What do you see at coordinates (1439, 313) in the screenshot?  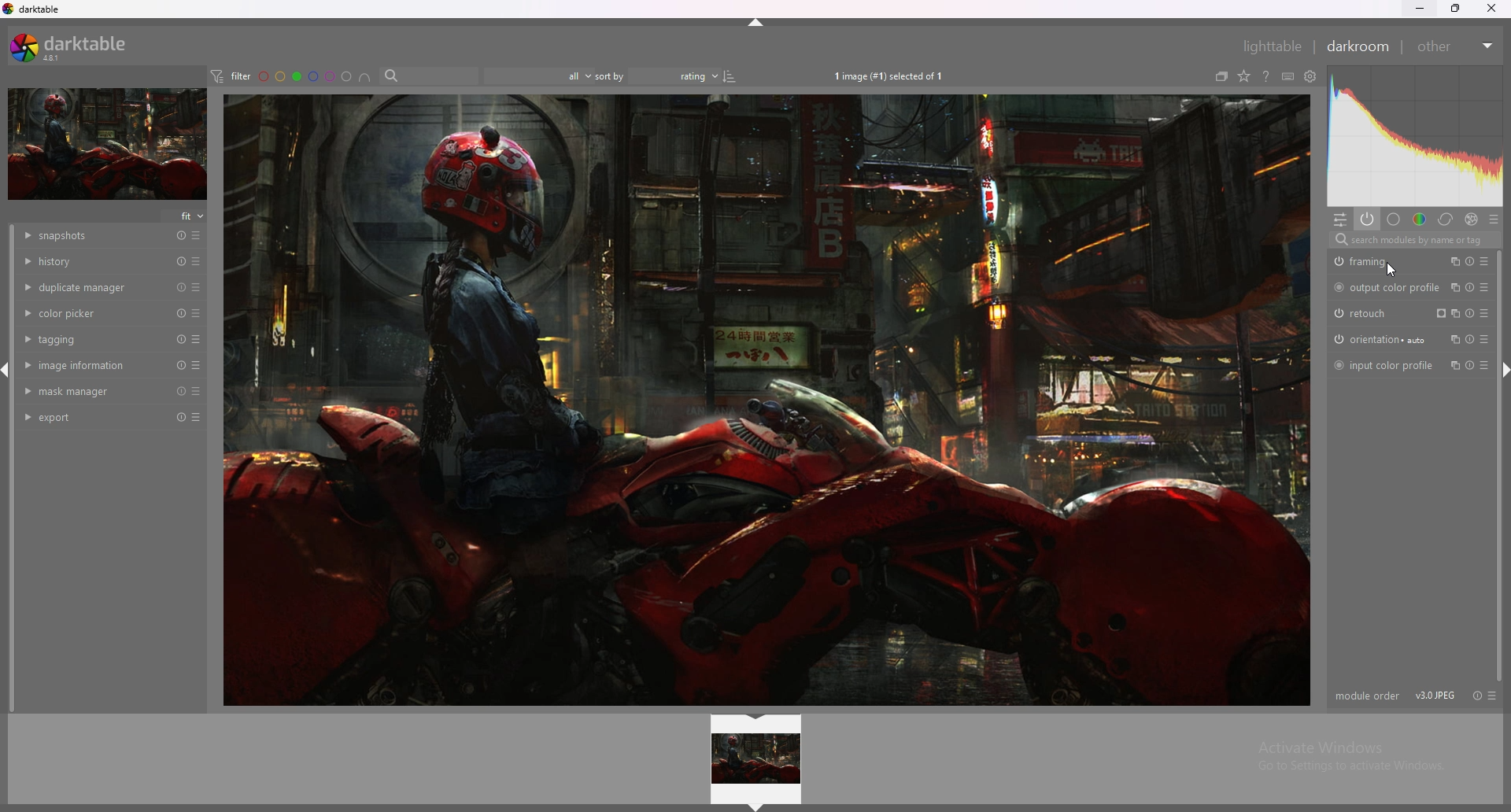 I see `parametric mask` at bounding box center [1439, 313].